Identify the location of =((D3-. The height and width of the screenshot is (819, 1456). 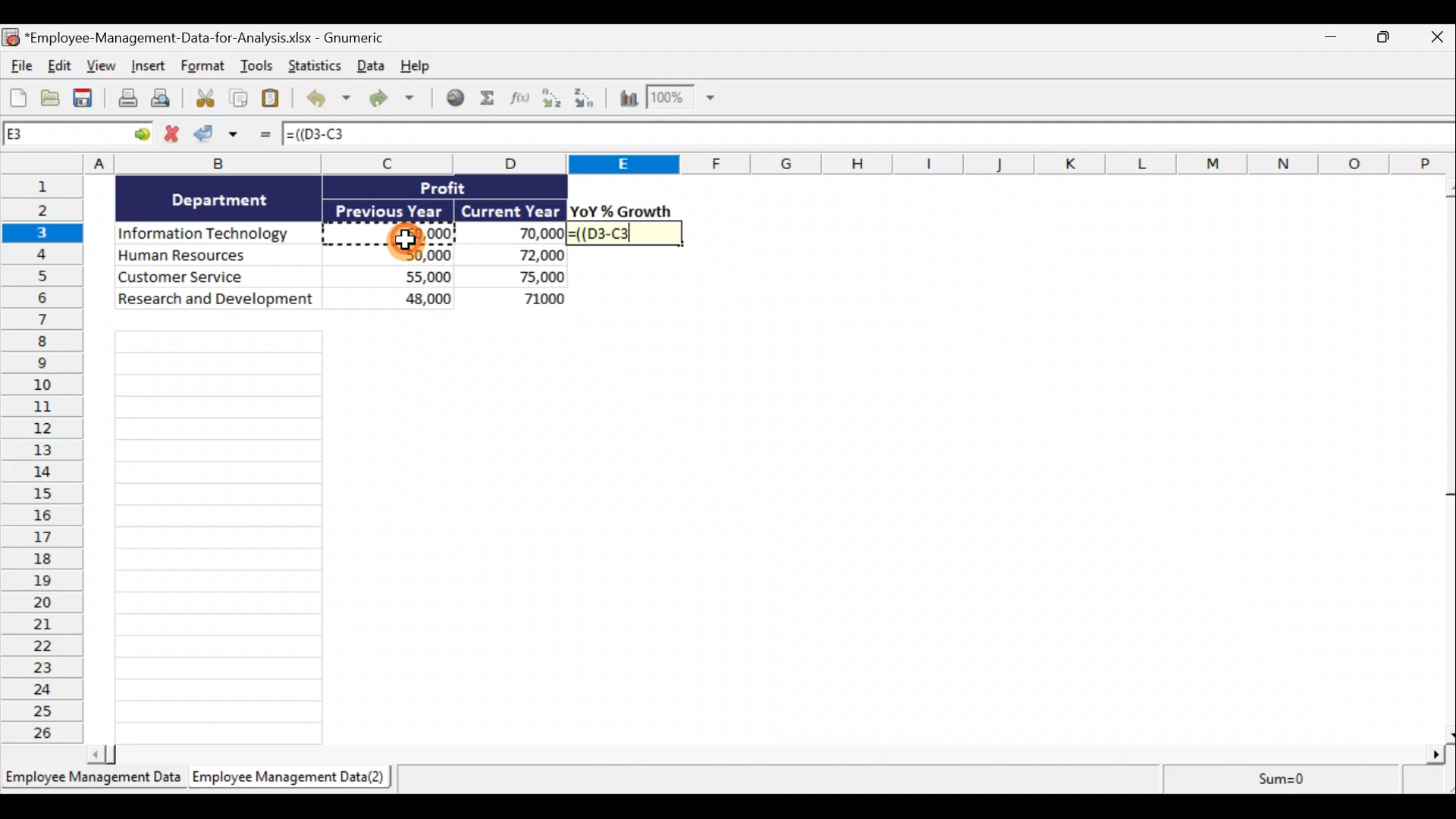
(627, 233).